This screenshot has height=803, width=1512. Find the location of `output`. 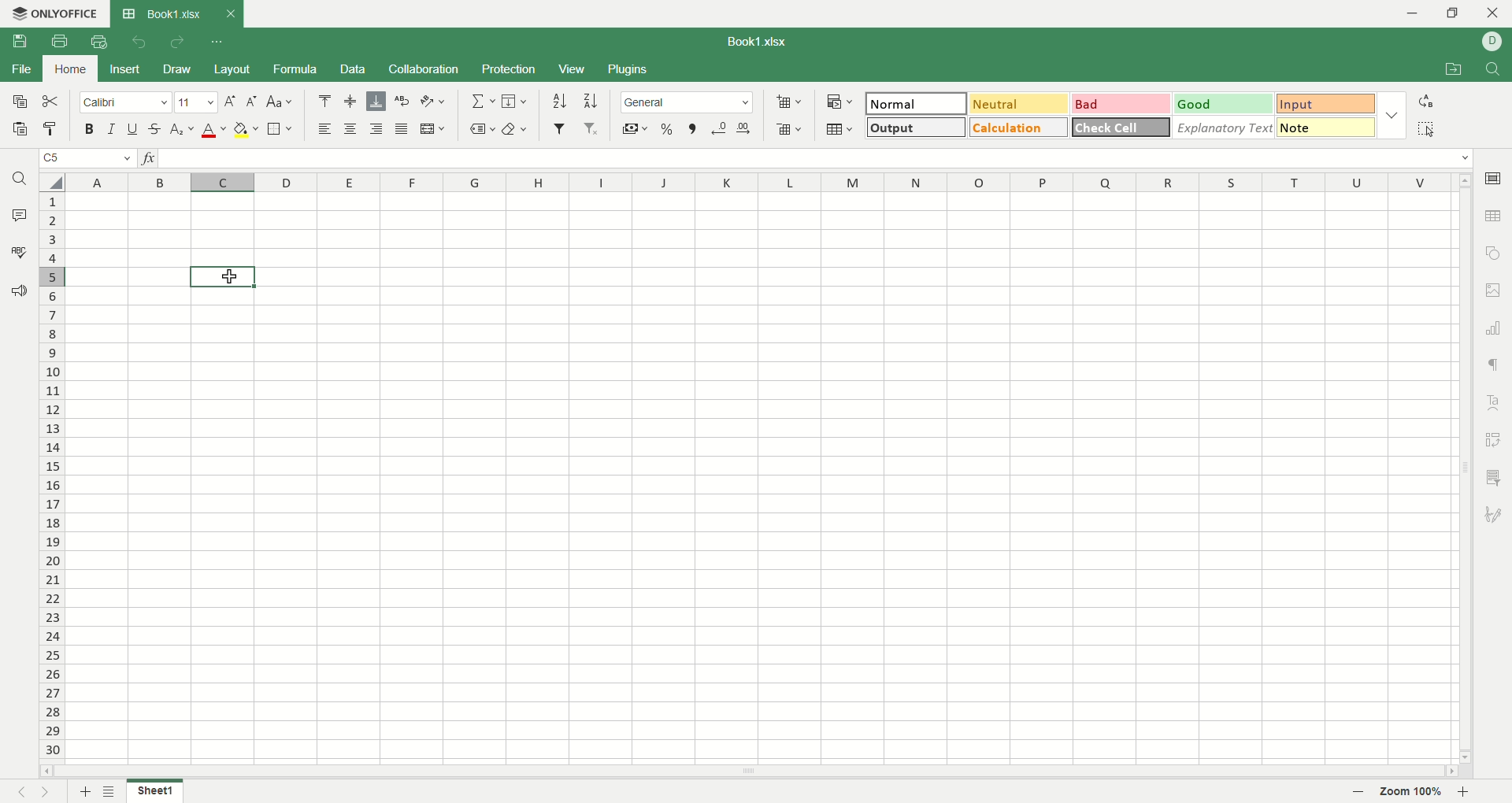

output is located at coordinates (913, 127).